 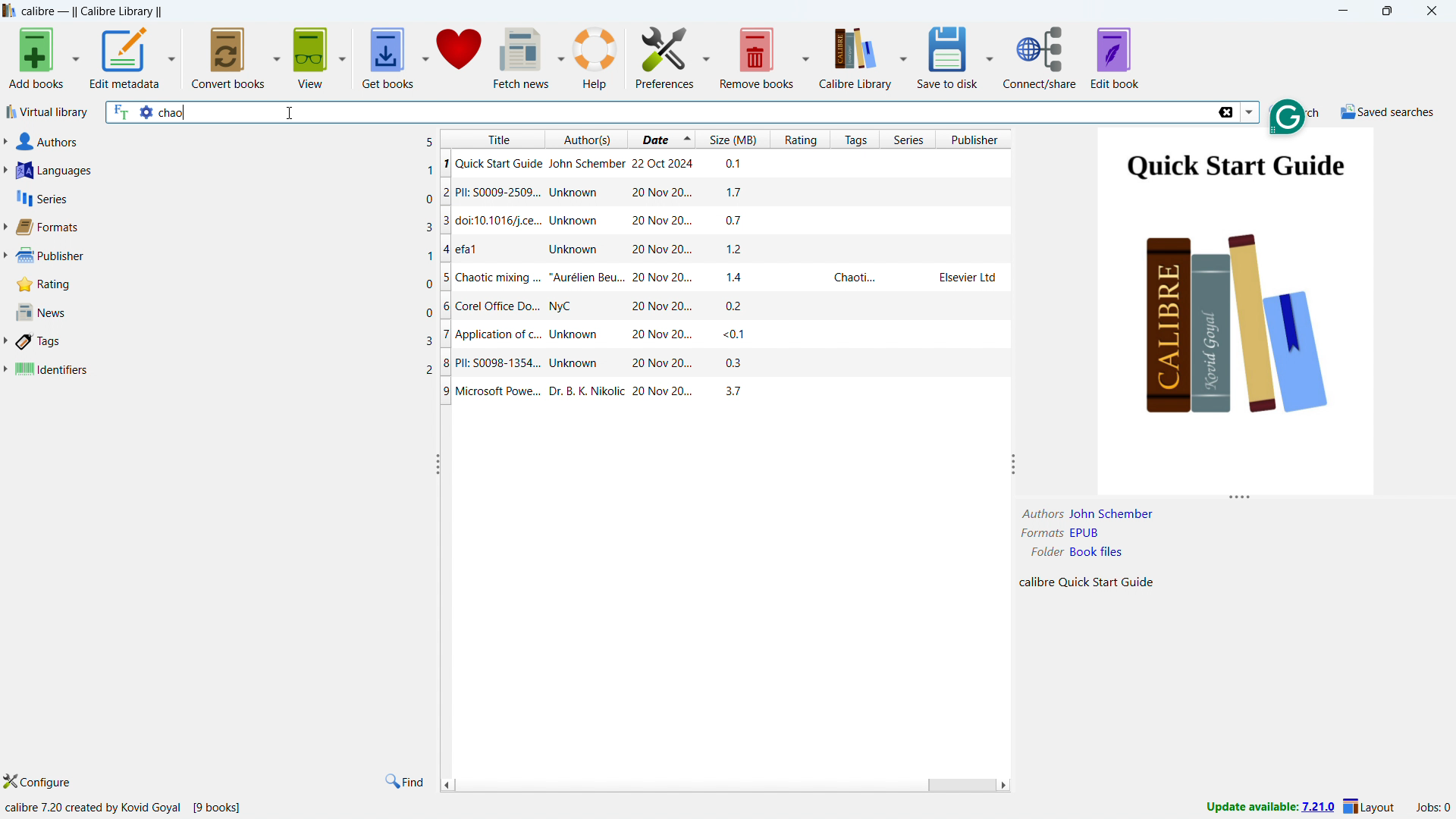 What do you see at coordinates (460, 56) in the screenshot?
I see `` at bounding box center [460, 56].